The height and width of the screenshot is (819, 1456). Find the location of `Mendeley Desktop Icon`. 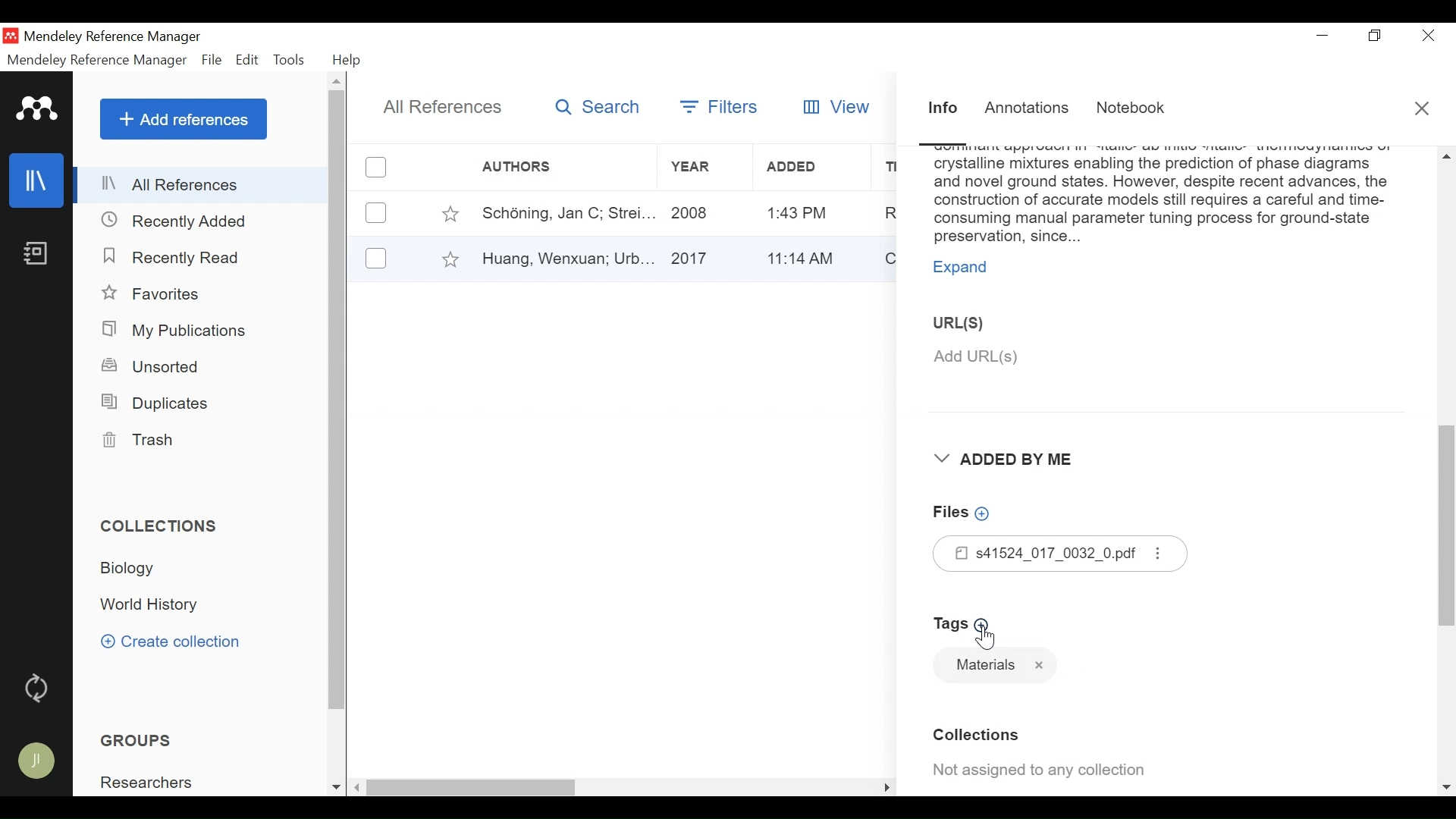

Mendeley Desktop Icon is located at coordinates (10, 36).